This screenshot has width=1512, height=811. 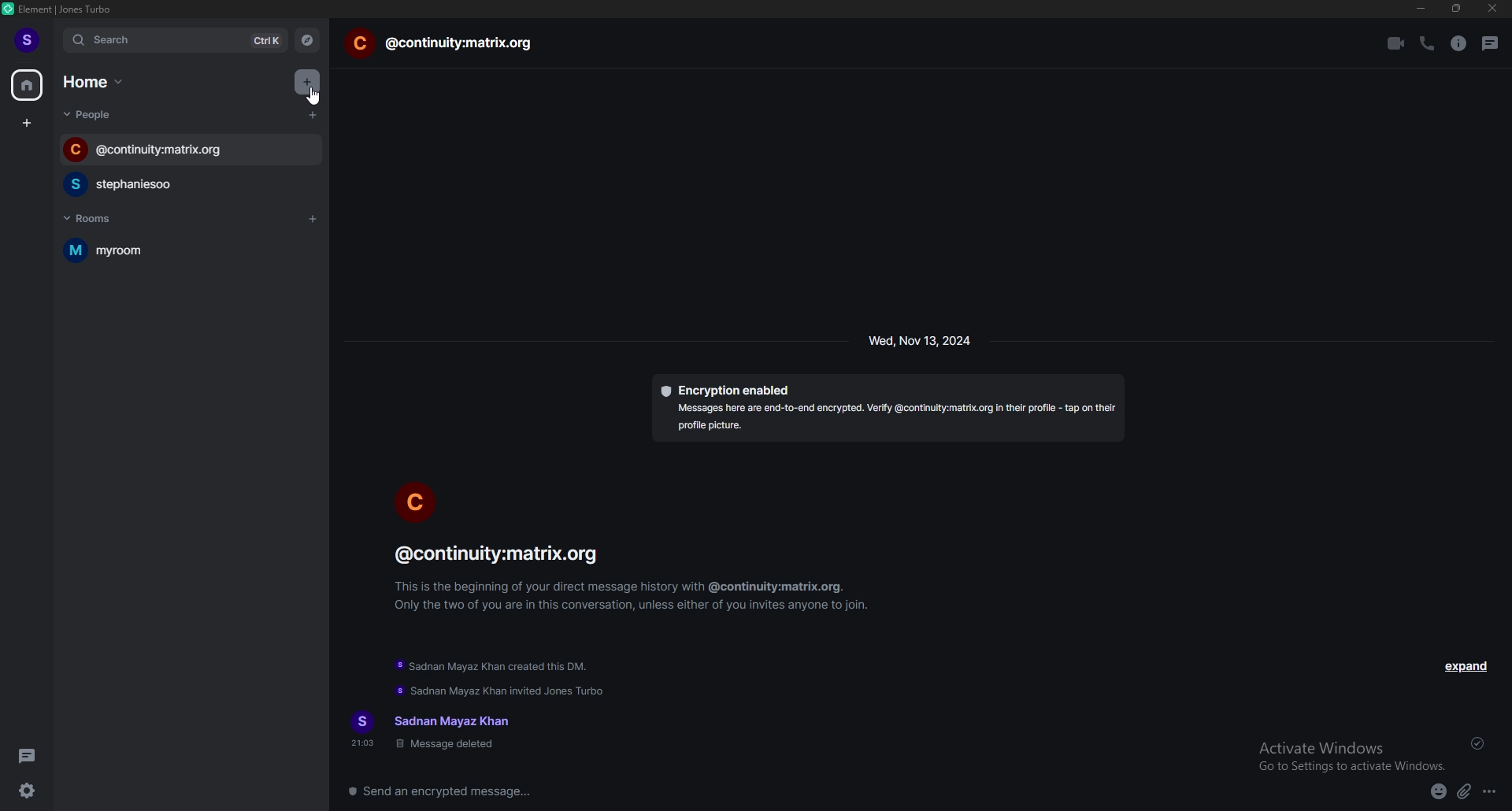 What do you see at coordinates (1491, 43) in the screenshot?
I see `threads` at bounding box center [1491, 43].